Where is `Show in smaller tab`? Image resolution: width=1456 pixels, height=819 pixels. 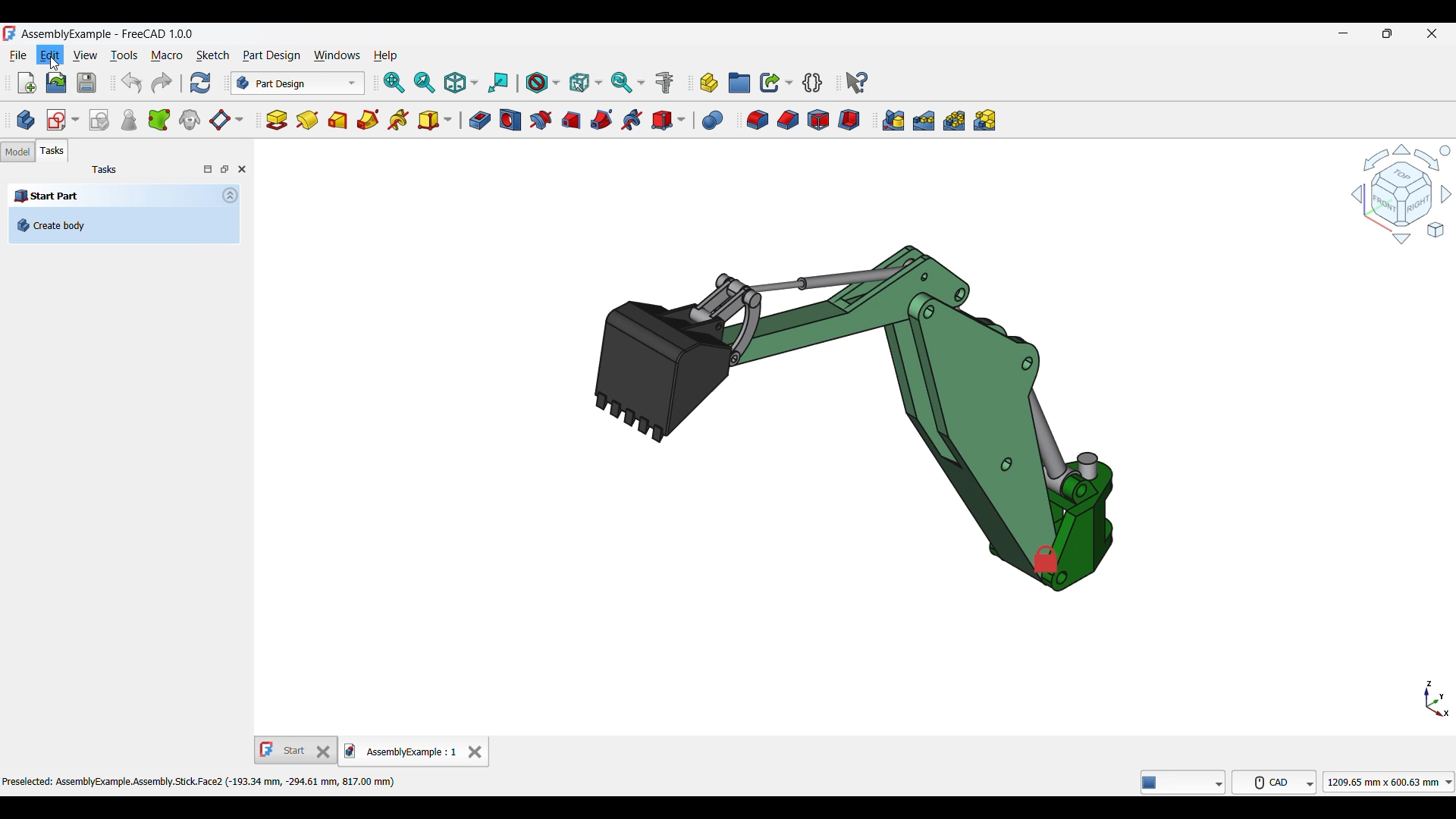
Show in smaller tab is located at coordinates (1388, 33).